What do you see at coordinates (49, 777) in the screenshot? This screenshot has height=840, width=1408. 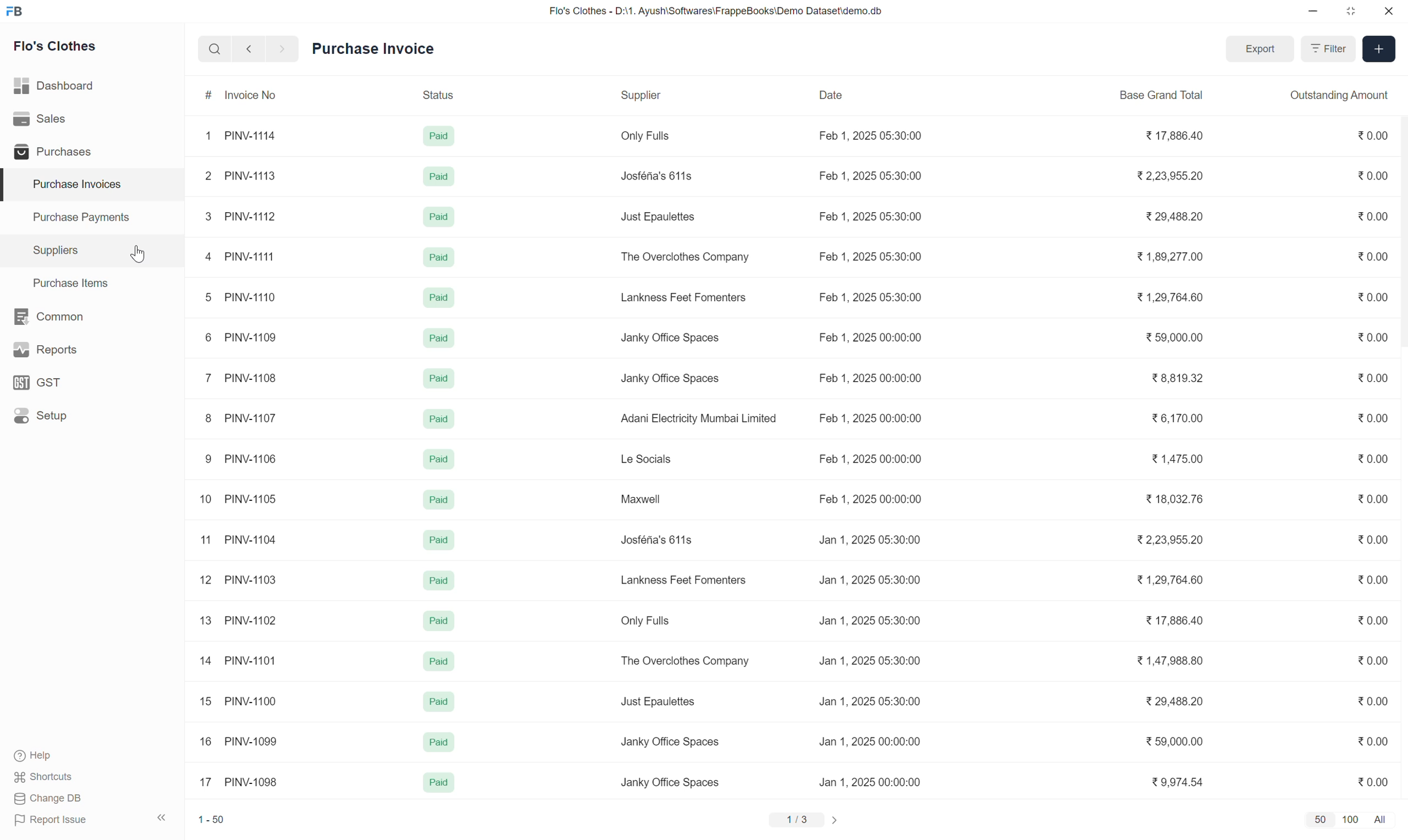 I see `Shortcuts` at bounding box center [49, 777].